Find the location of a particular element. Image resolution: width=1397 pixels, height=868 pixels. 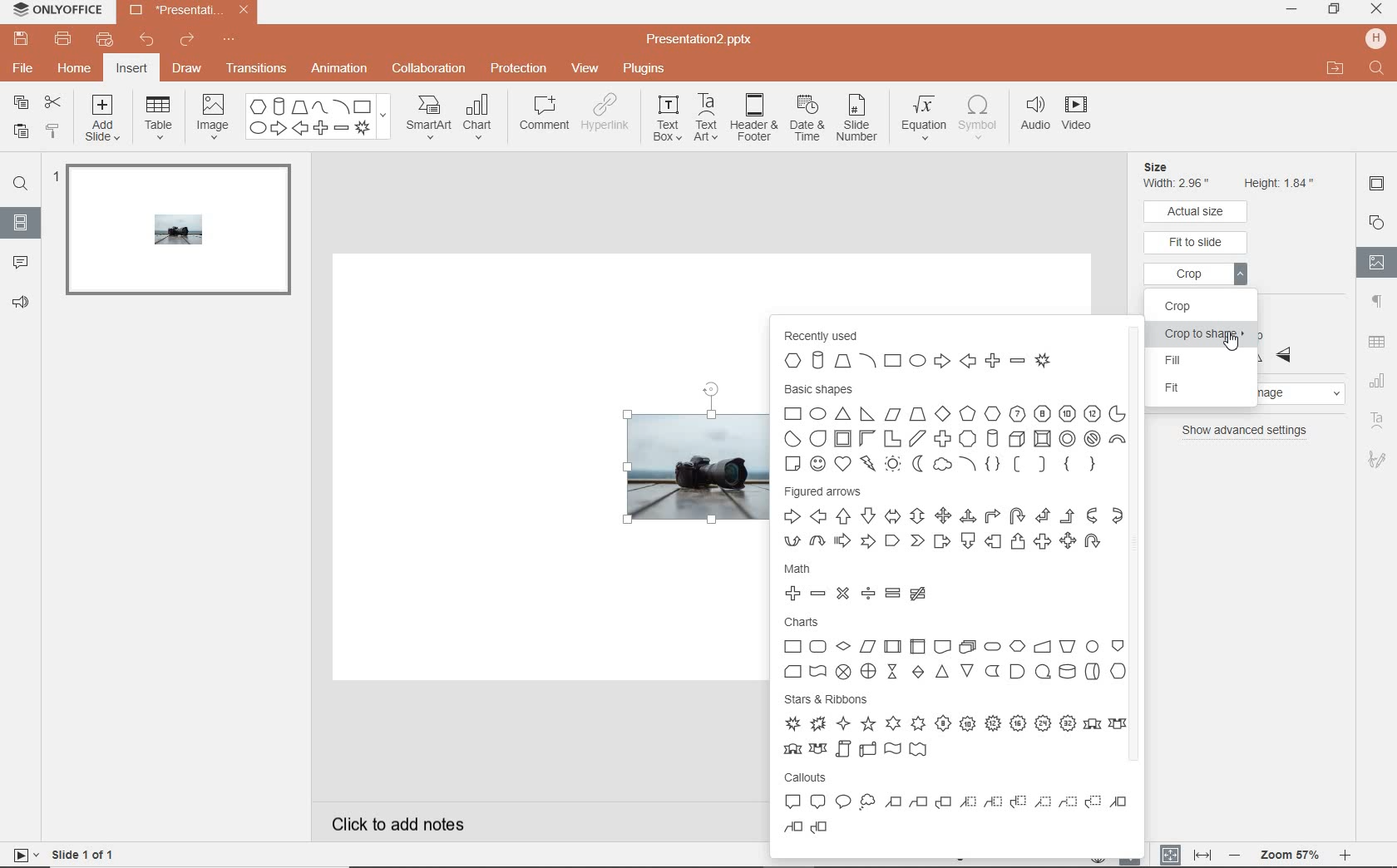

date & time is located at coordinates (809, 118).